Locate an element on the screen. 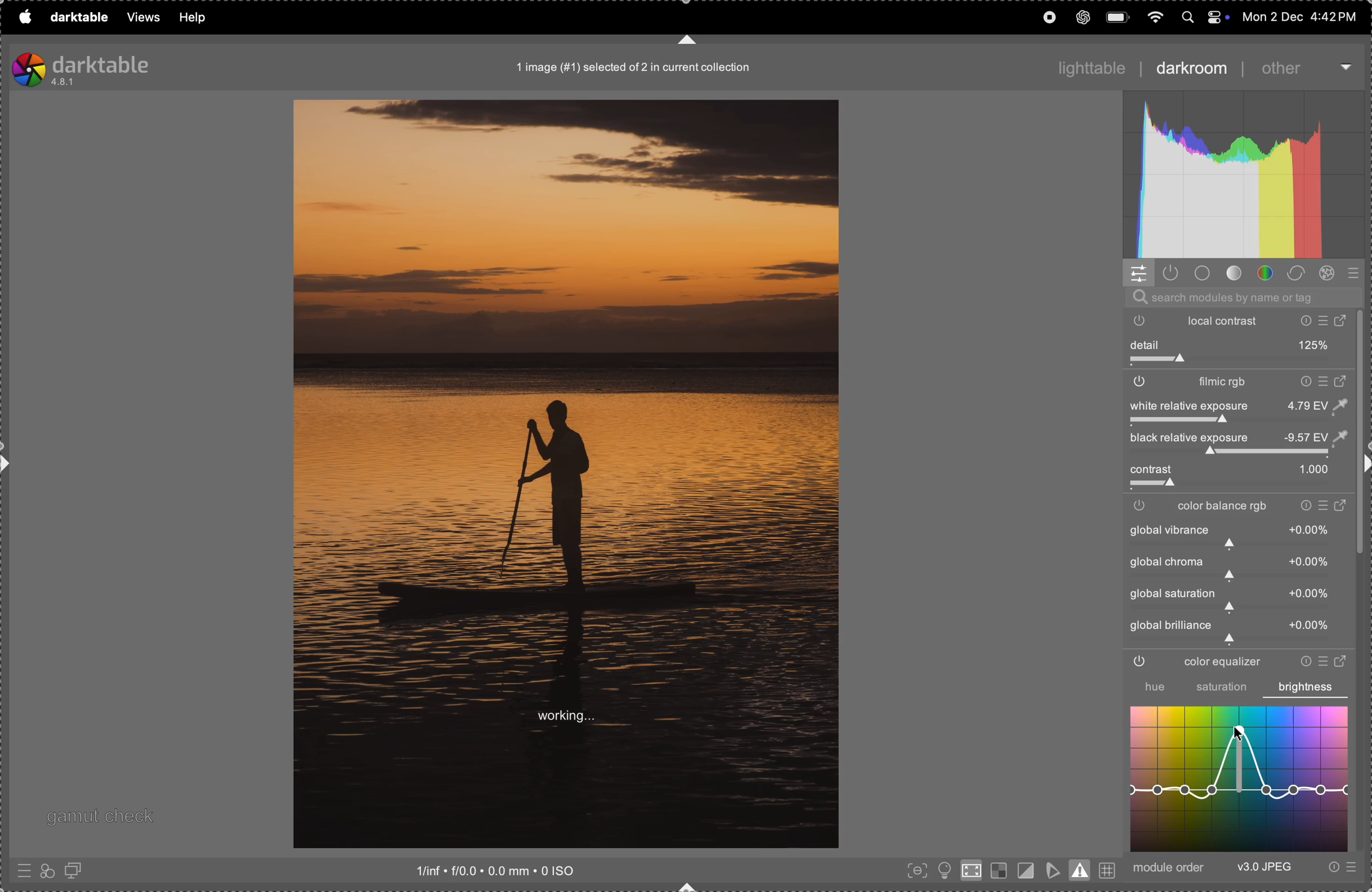 The width and height of the screenshot is (1372, 892). toggle clipping indication is located at coordinates (1024, 870).